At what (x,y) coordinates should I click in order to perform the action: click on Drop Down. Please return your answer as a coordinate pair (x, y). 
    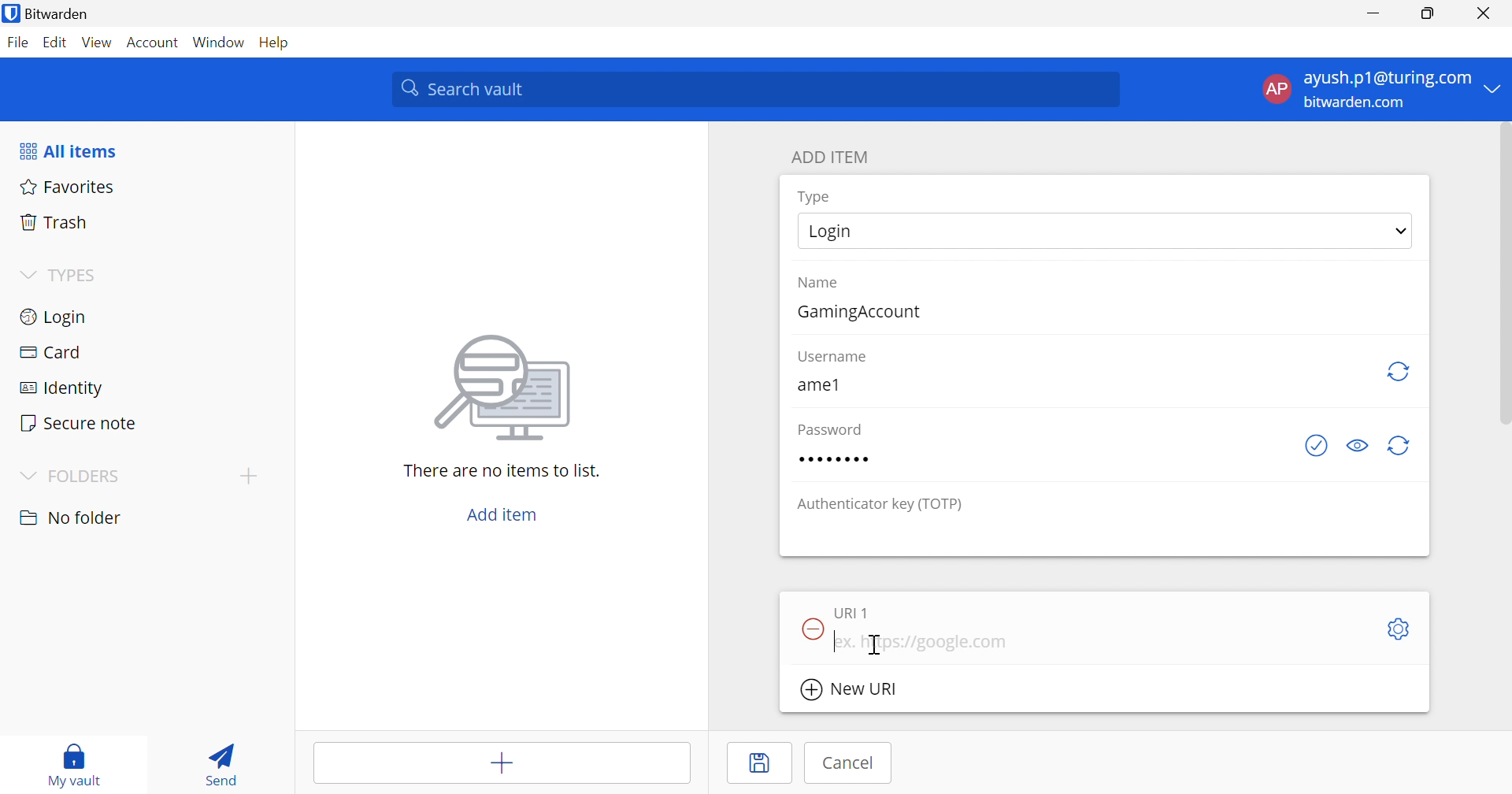
    Looking at the image, I should click on (27, 275).